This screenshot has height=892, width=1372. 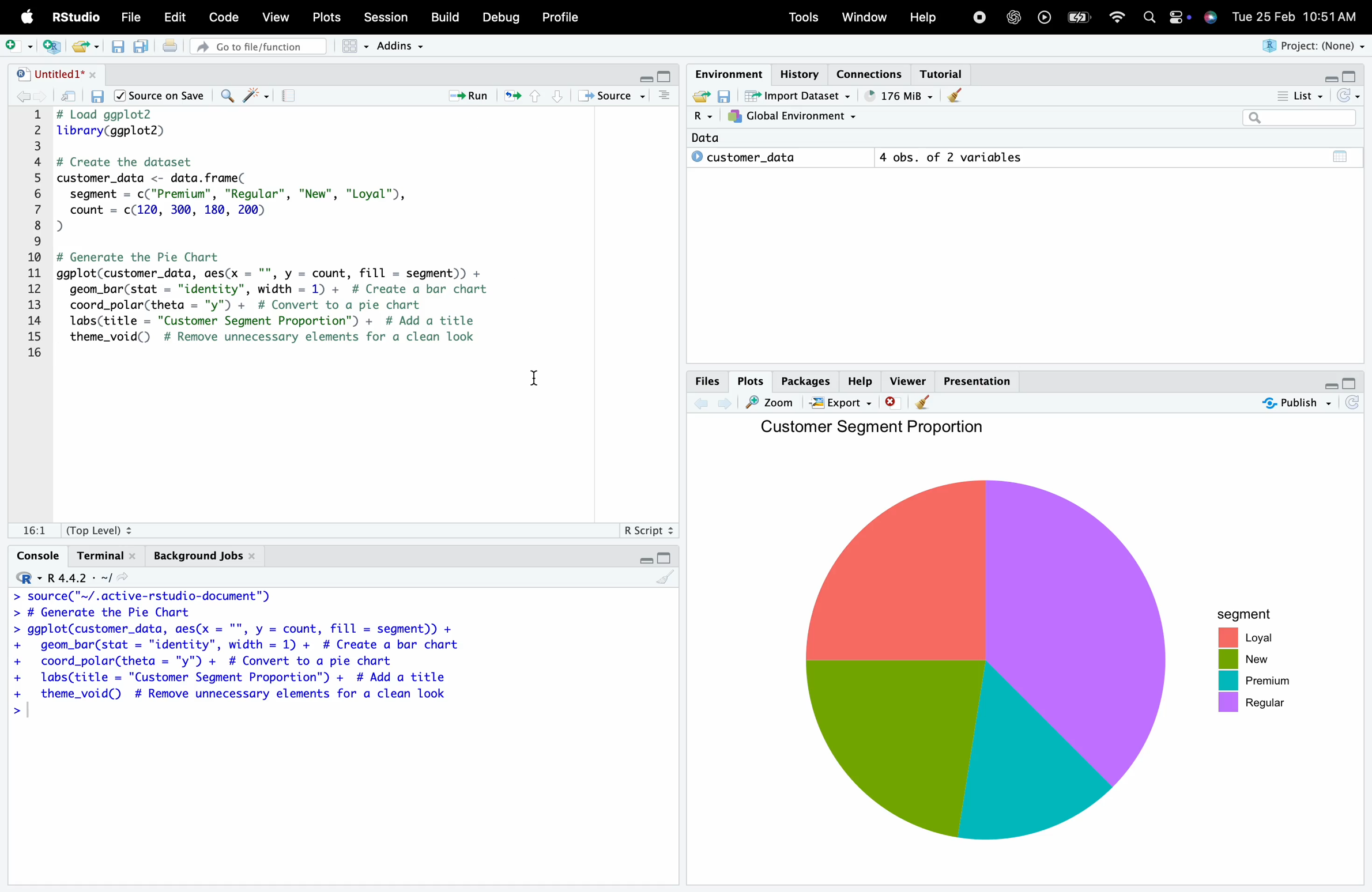 I want to click on Viewer, so click(x=907, y=379).